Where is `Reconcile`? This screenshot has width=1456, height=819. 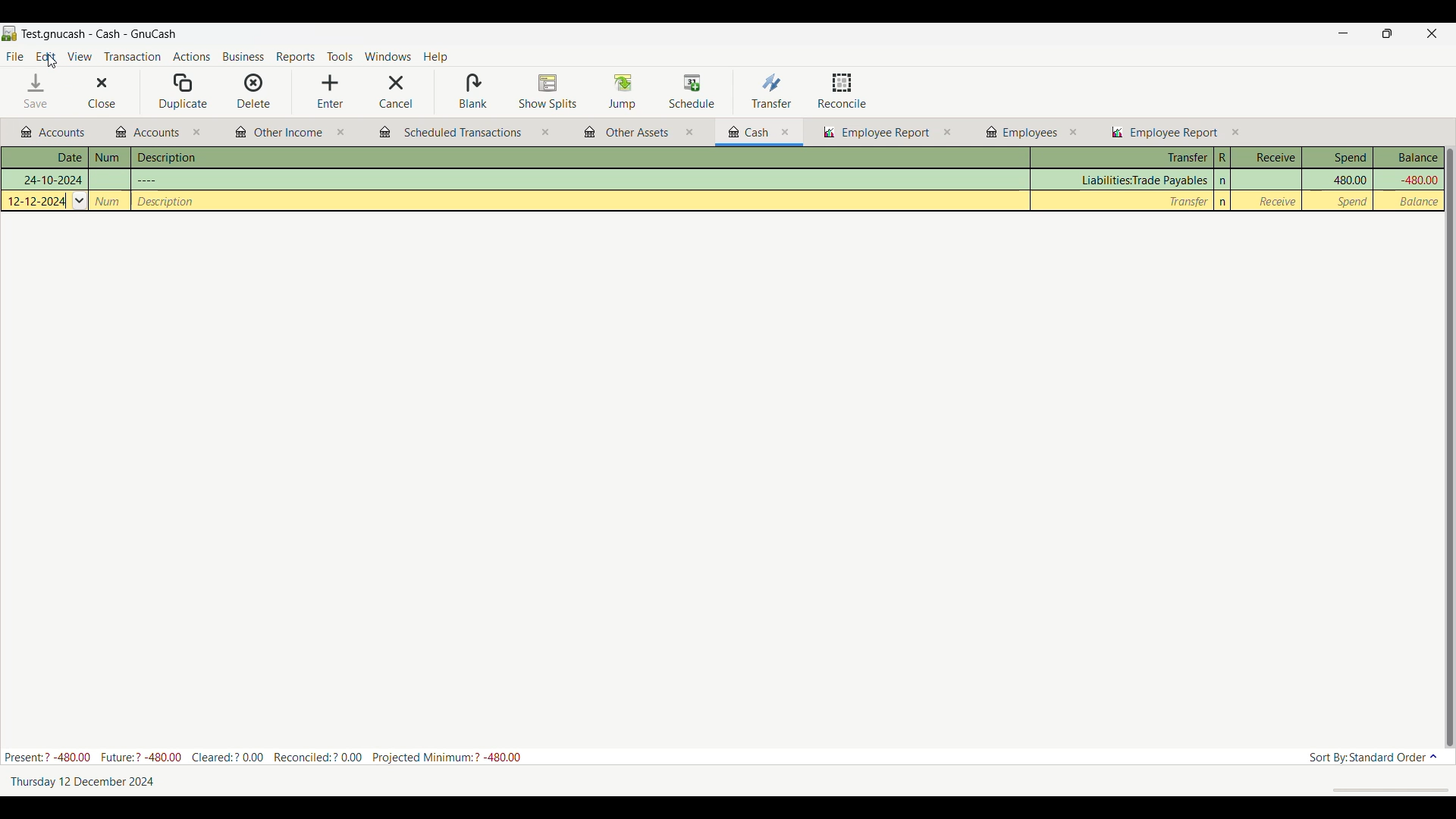
Reconcile is located at coordinates (842, 91).